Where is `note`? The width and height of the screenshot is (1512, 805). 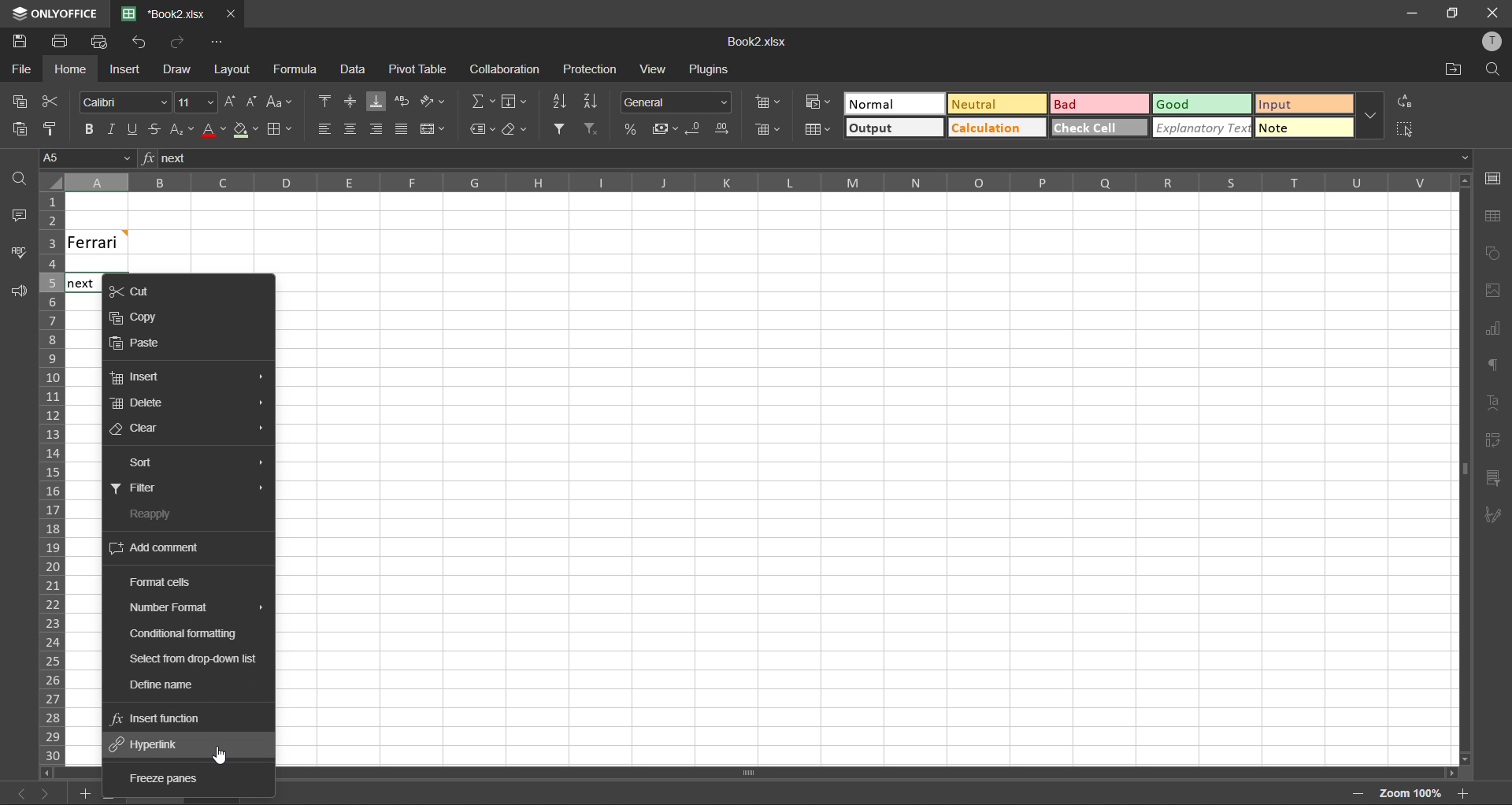
note is located at coordinates (1295, 130).